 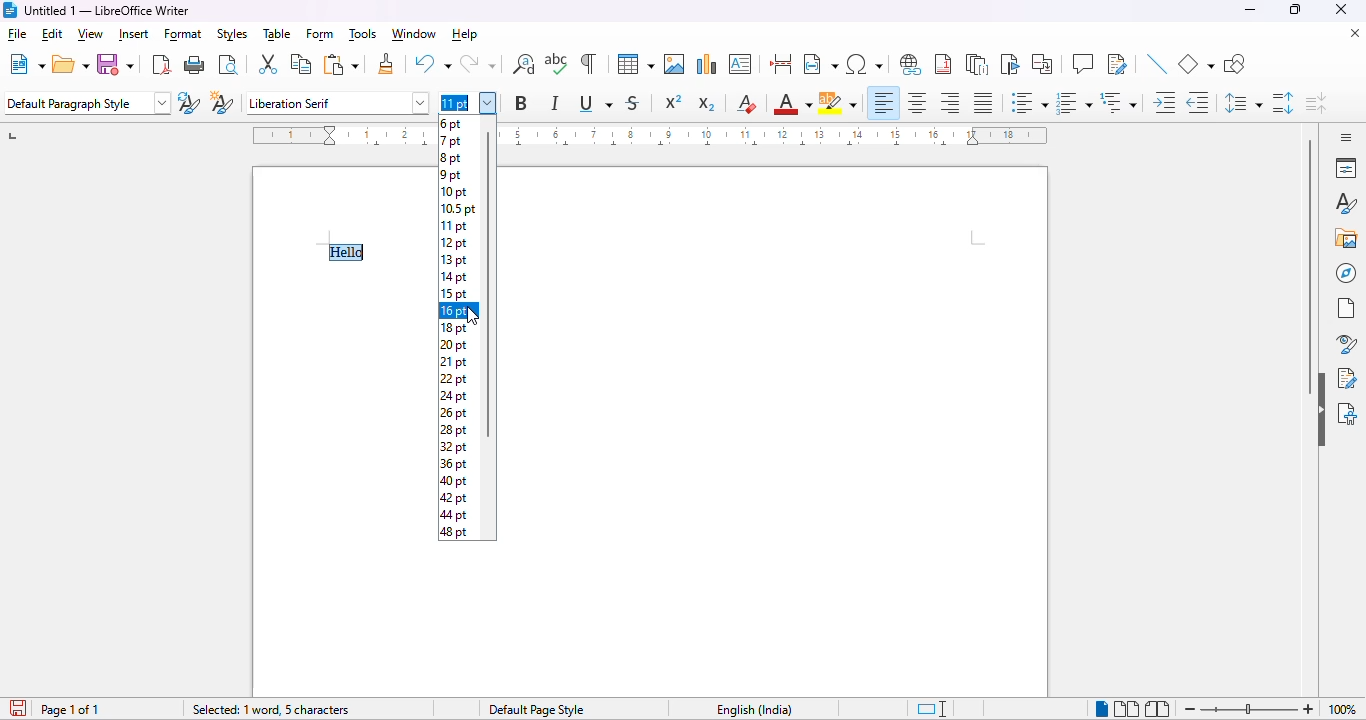 What do you see at coordinates (453, 193) in the screenshot?
I see `10 pt` at bounding box center [453, 193].